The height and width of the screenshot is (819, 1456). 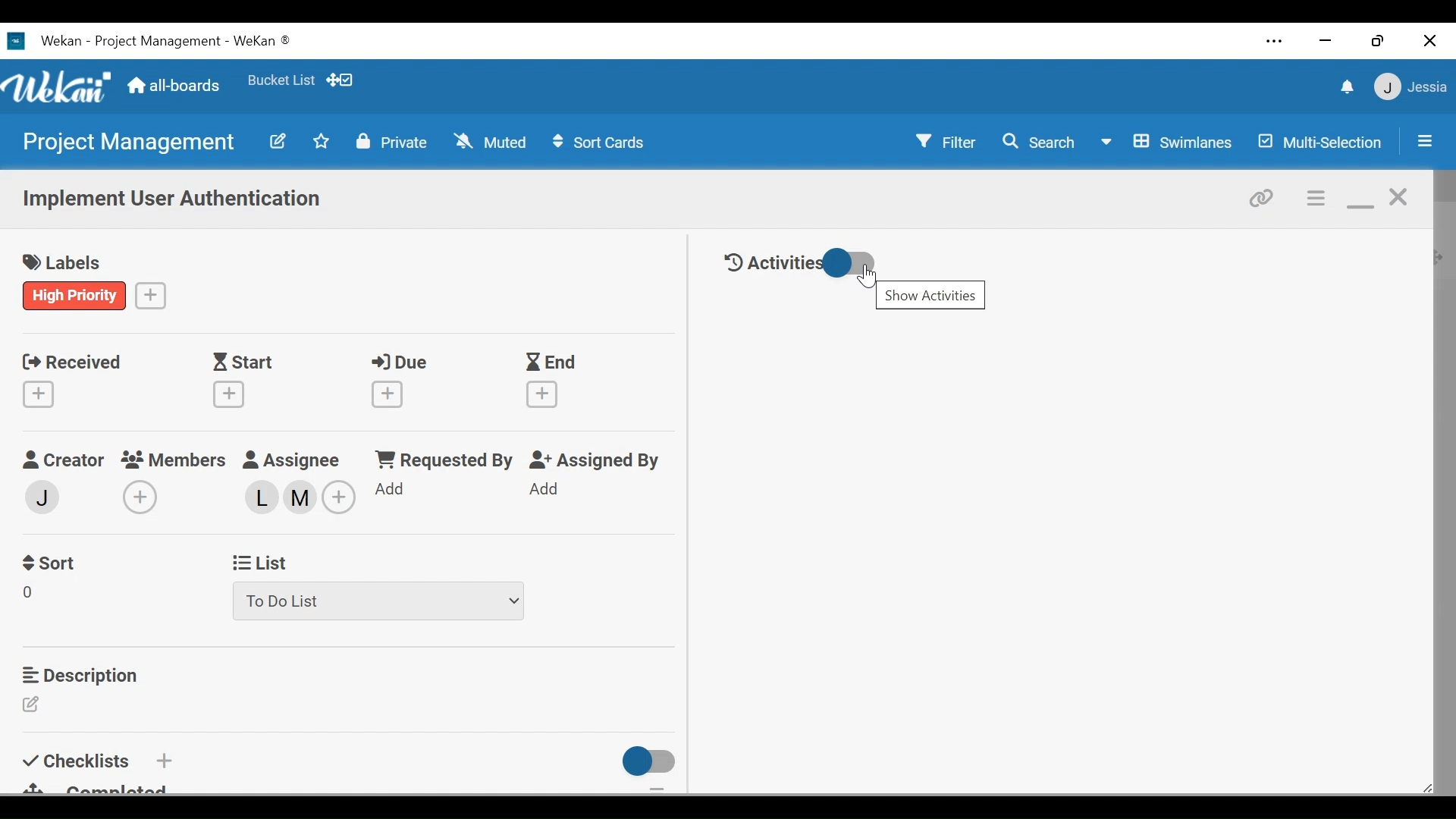 I want to click on Assigned By, so click(x=594, y=460).